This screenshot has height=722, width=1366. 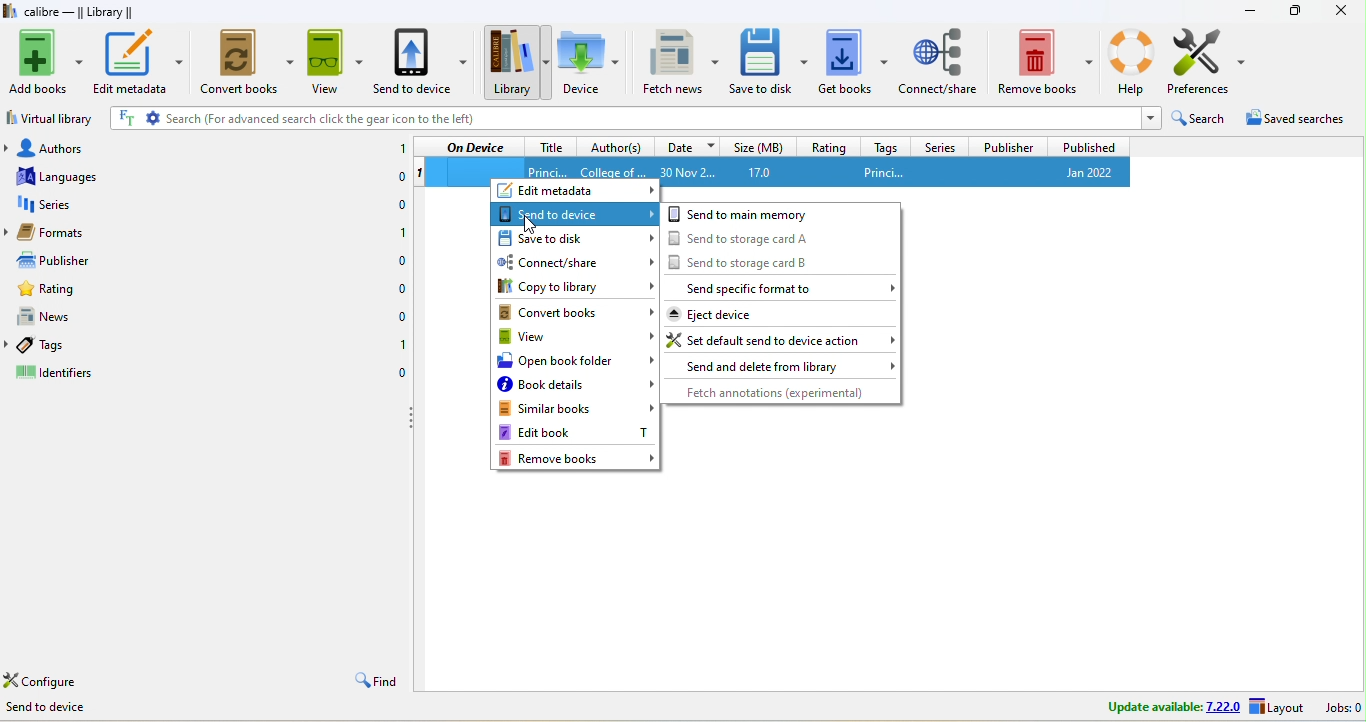 What do you see at coordinates (56, 175) in the screenshot?
I see `languages` at bounding box center [56, 175].